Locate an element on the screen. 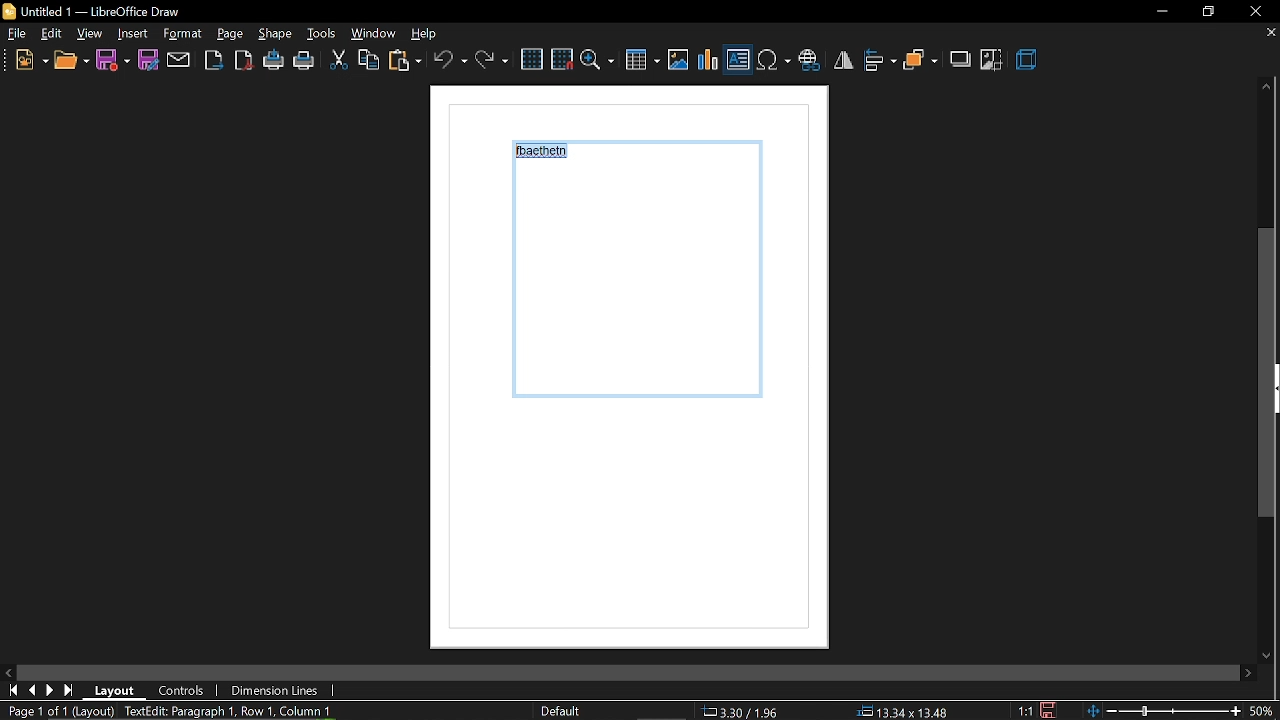  format is located at coordinates (231, 34).